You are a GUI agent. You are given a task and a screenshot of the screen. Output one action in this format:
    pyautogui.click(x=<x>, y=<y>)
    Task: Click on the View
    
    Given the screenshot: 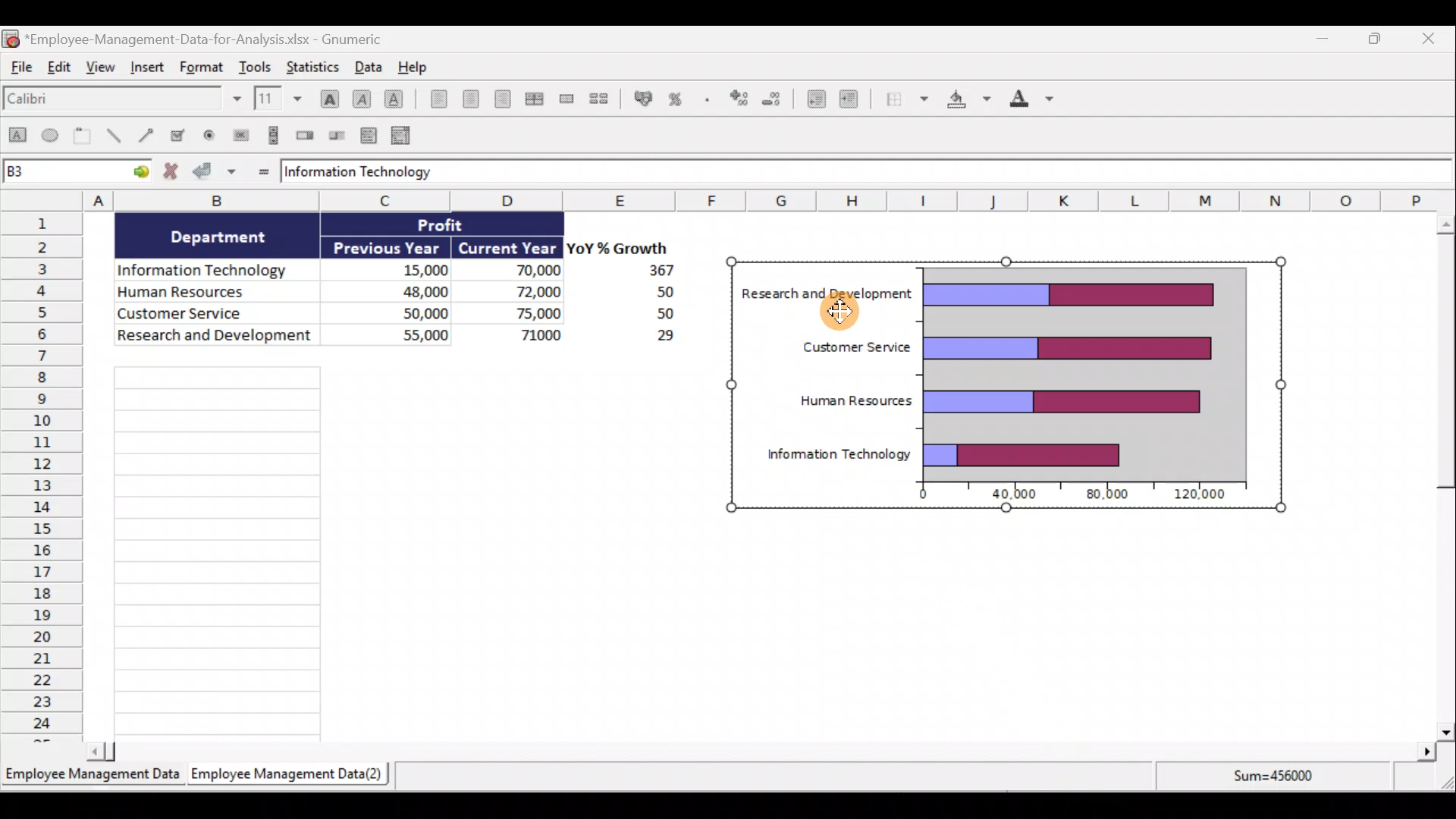 What is the action you would take?
    pyautogui.click(x=102, y=73)
    